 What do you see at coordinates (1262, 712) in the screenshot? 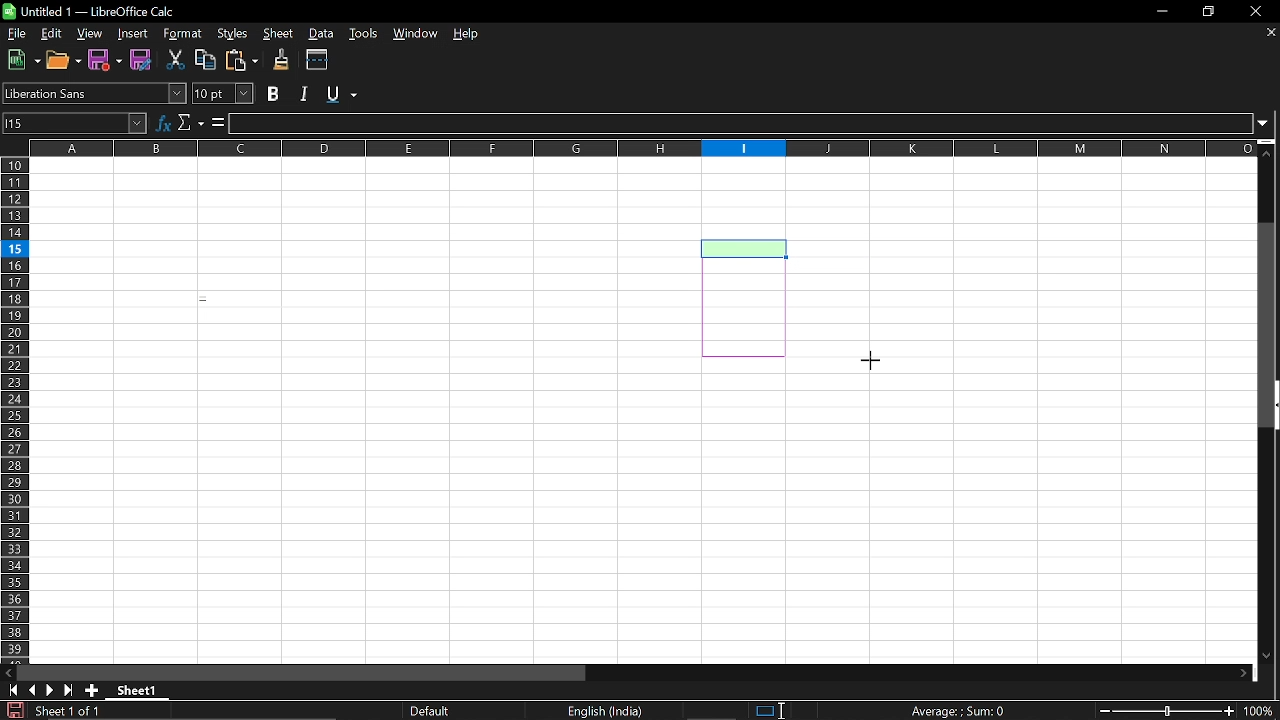
I see `Current Zoom` at bounding box center [1262, 712].